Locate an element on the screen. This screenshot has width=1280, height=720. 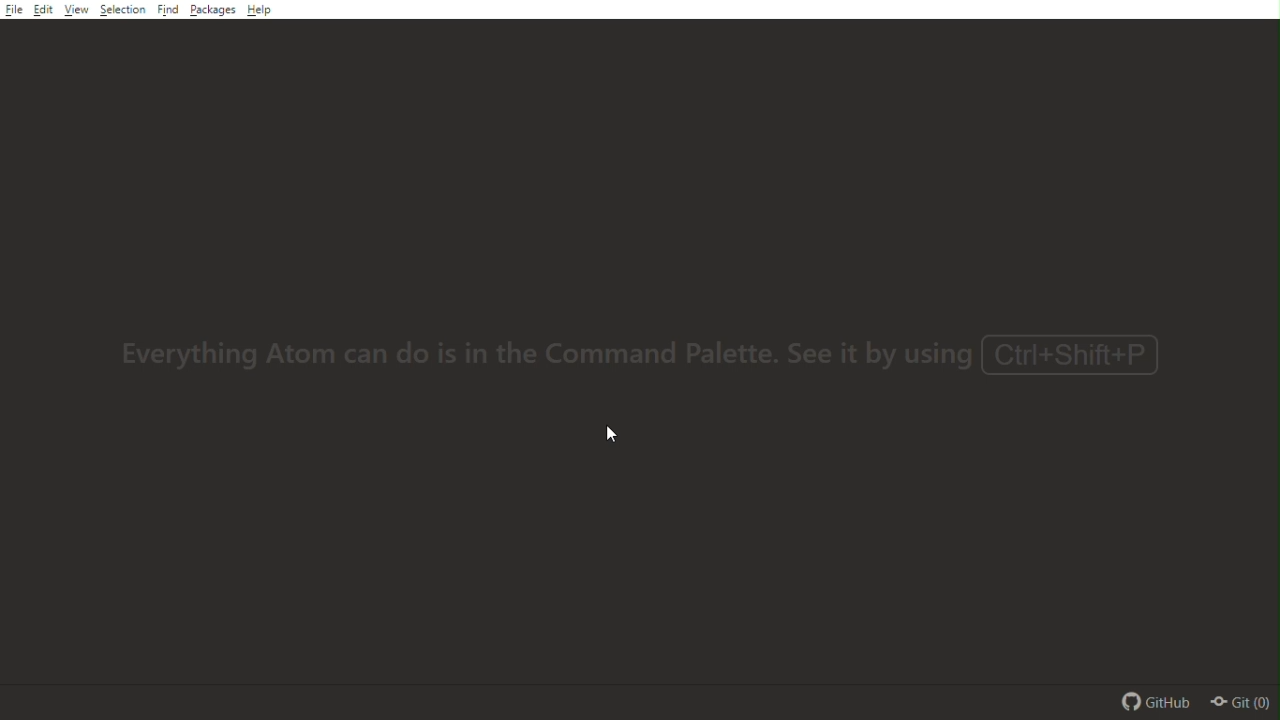
edit is located at coordinates (43, 11).